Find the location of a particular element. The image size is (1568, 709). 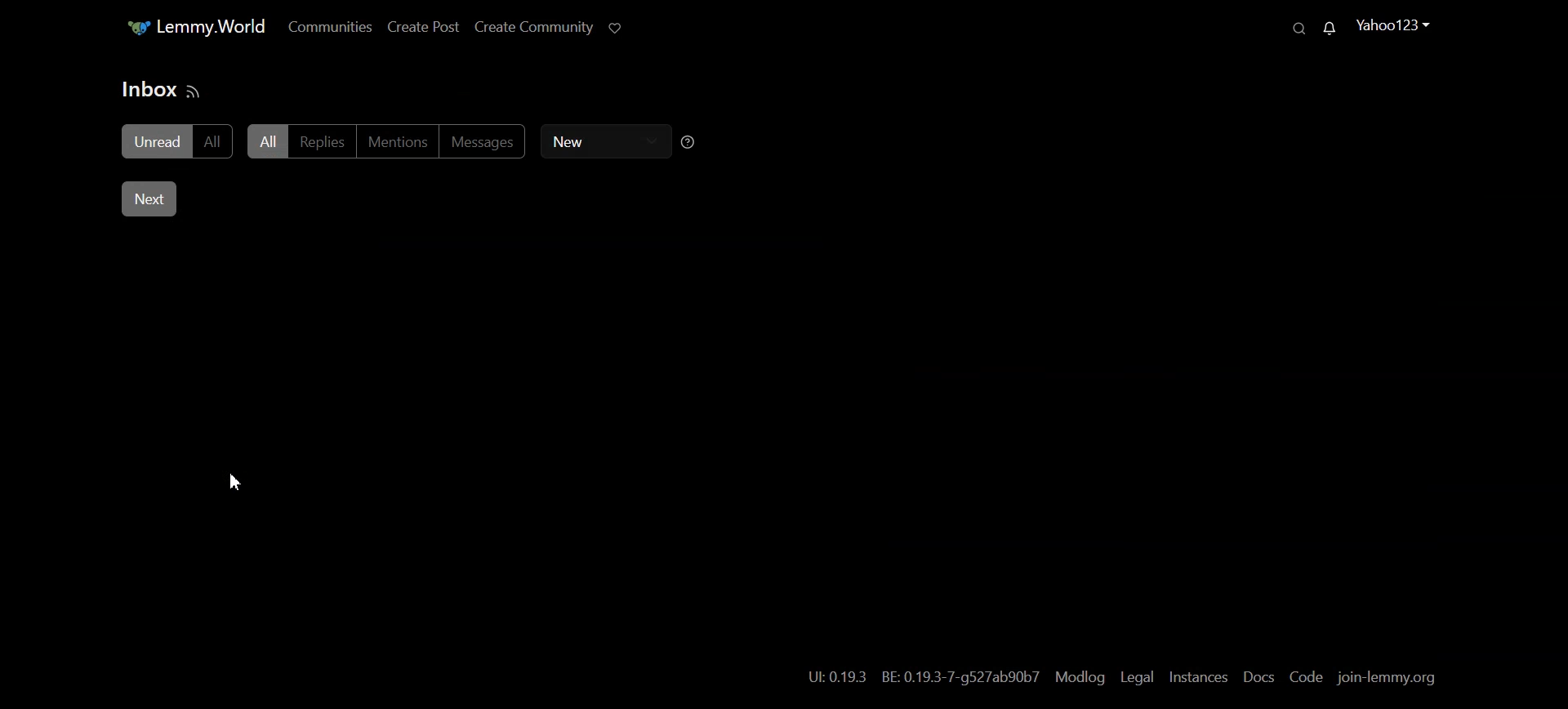

Next is located at coordinates (149, 199).